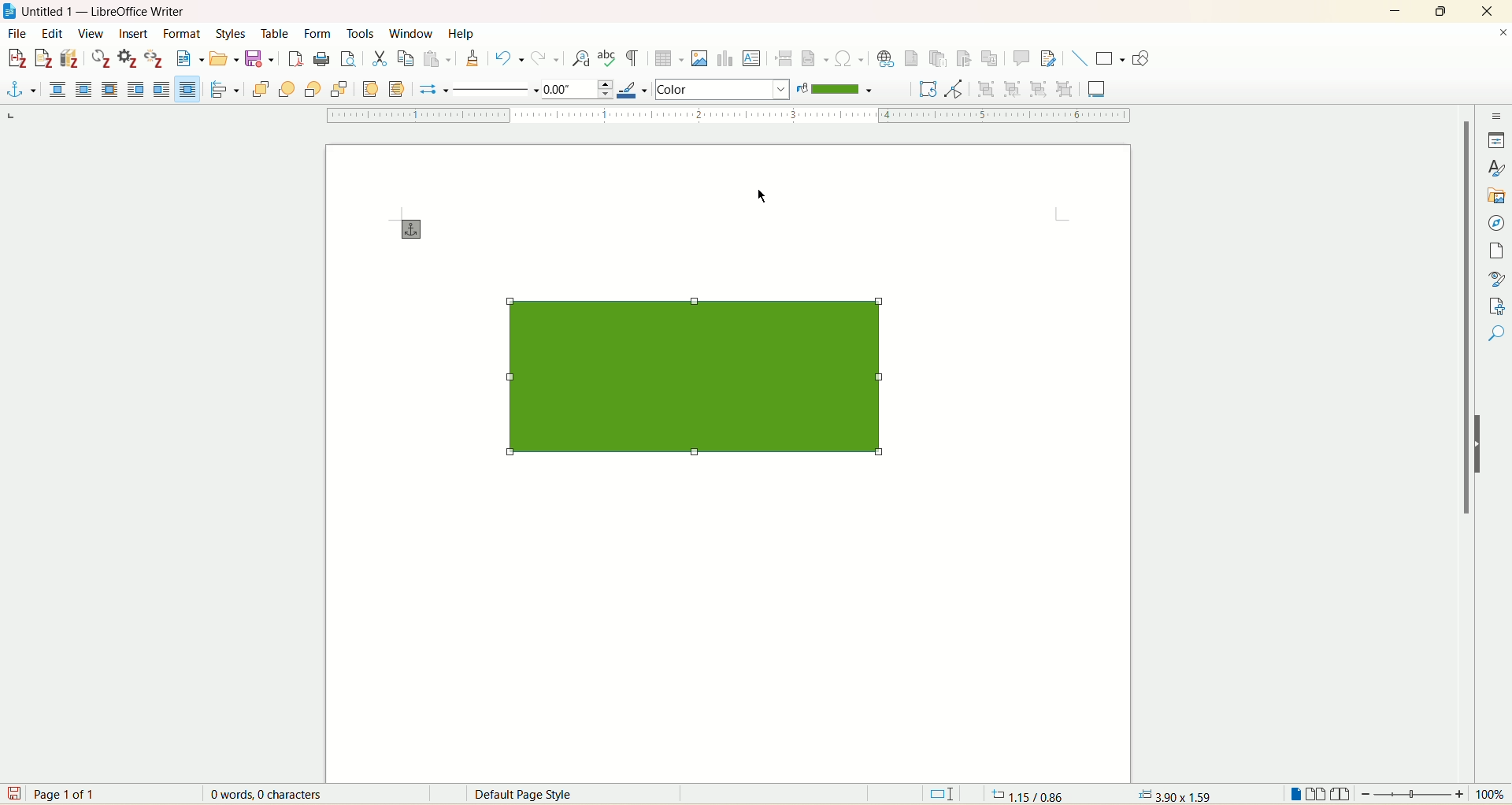 This screenshot has height=805, width=1512. Describe the element at coordinates (261, 61) in the screenshot. I see `save` at that location.